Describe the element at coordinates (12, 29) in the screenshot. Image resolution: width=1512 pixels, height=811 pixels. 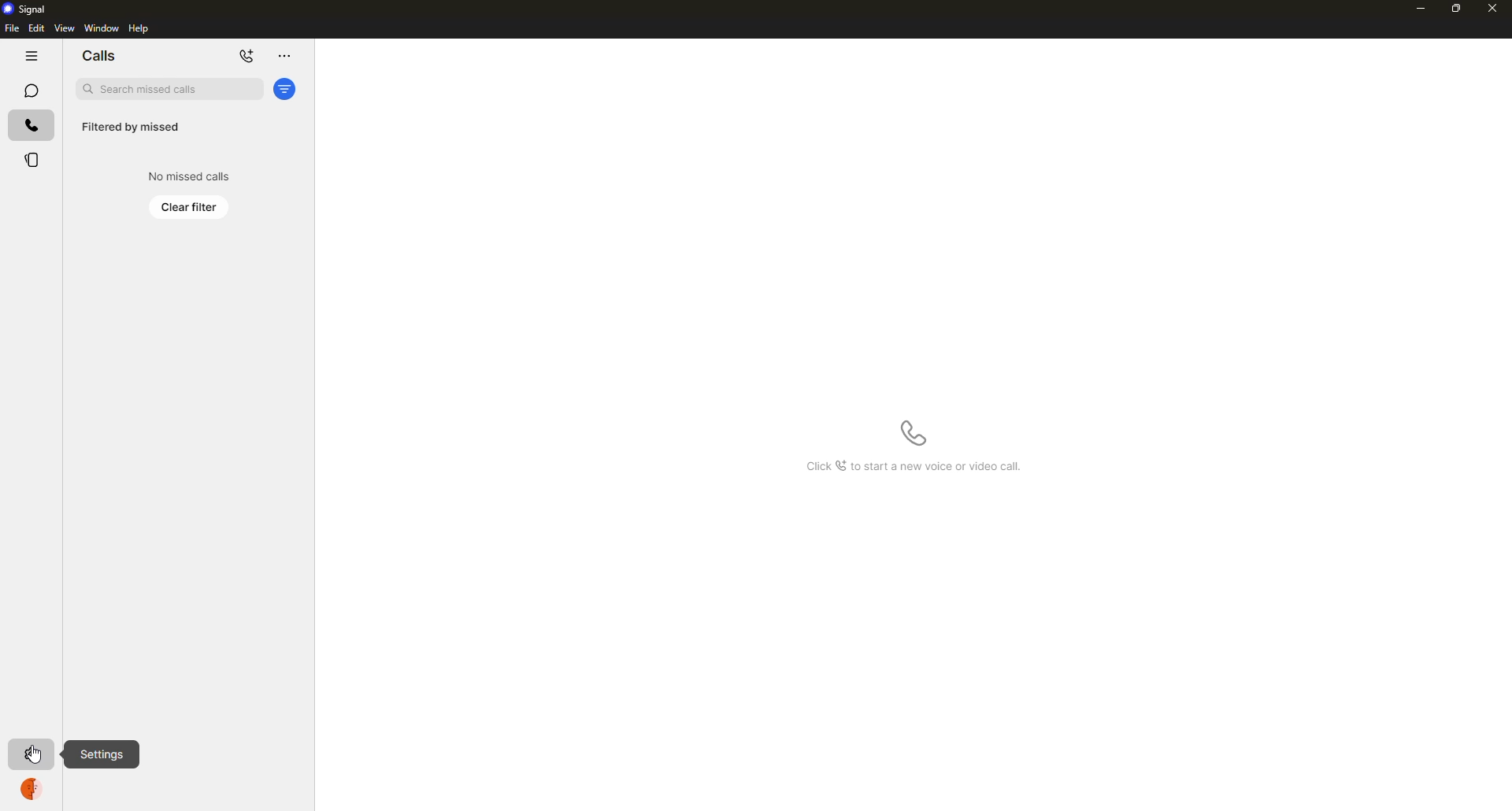
I see `file` at that location.